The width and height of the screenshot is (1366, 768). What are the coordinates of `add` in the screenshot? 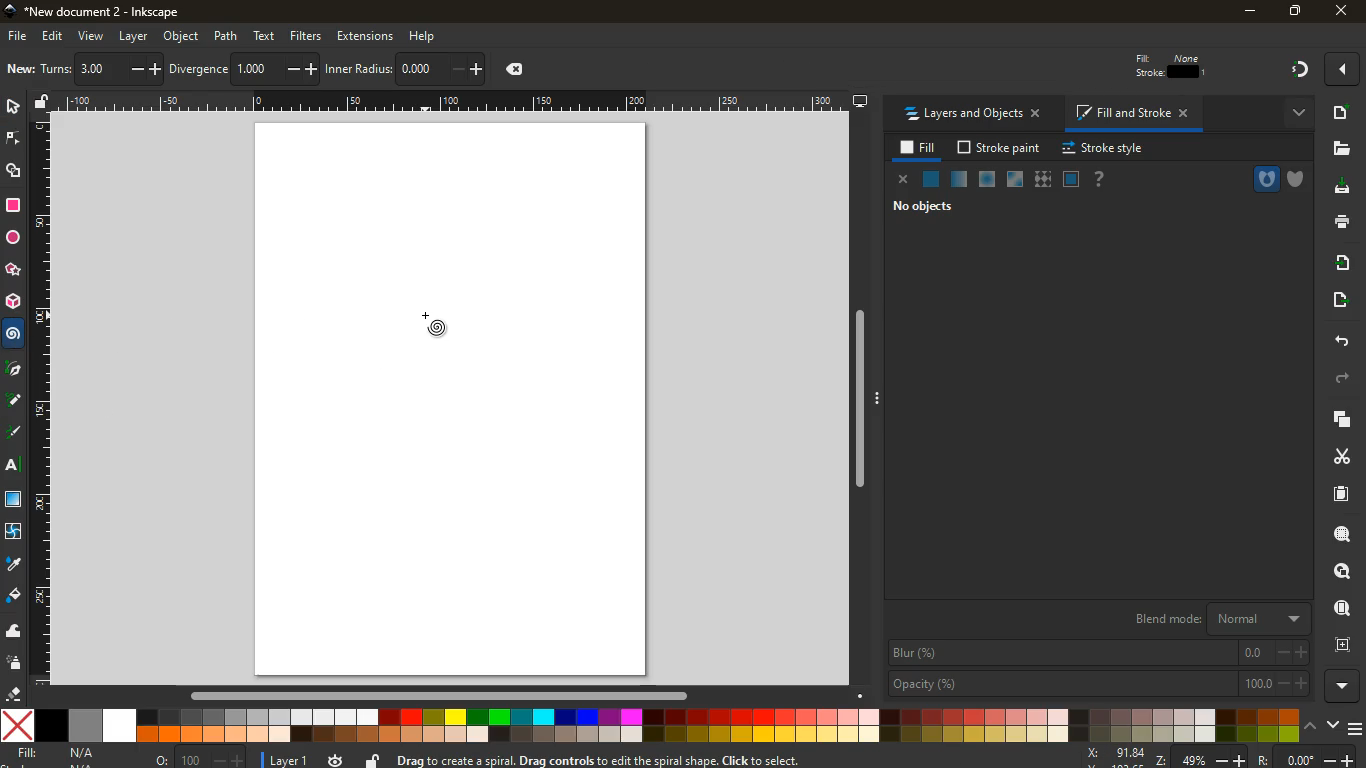 It's located at (1341, 115).